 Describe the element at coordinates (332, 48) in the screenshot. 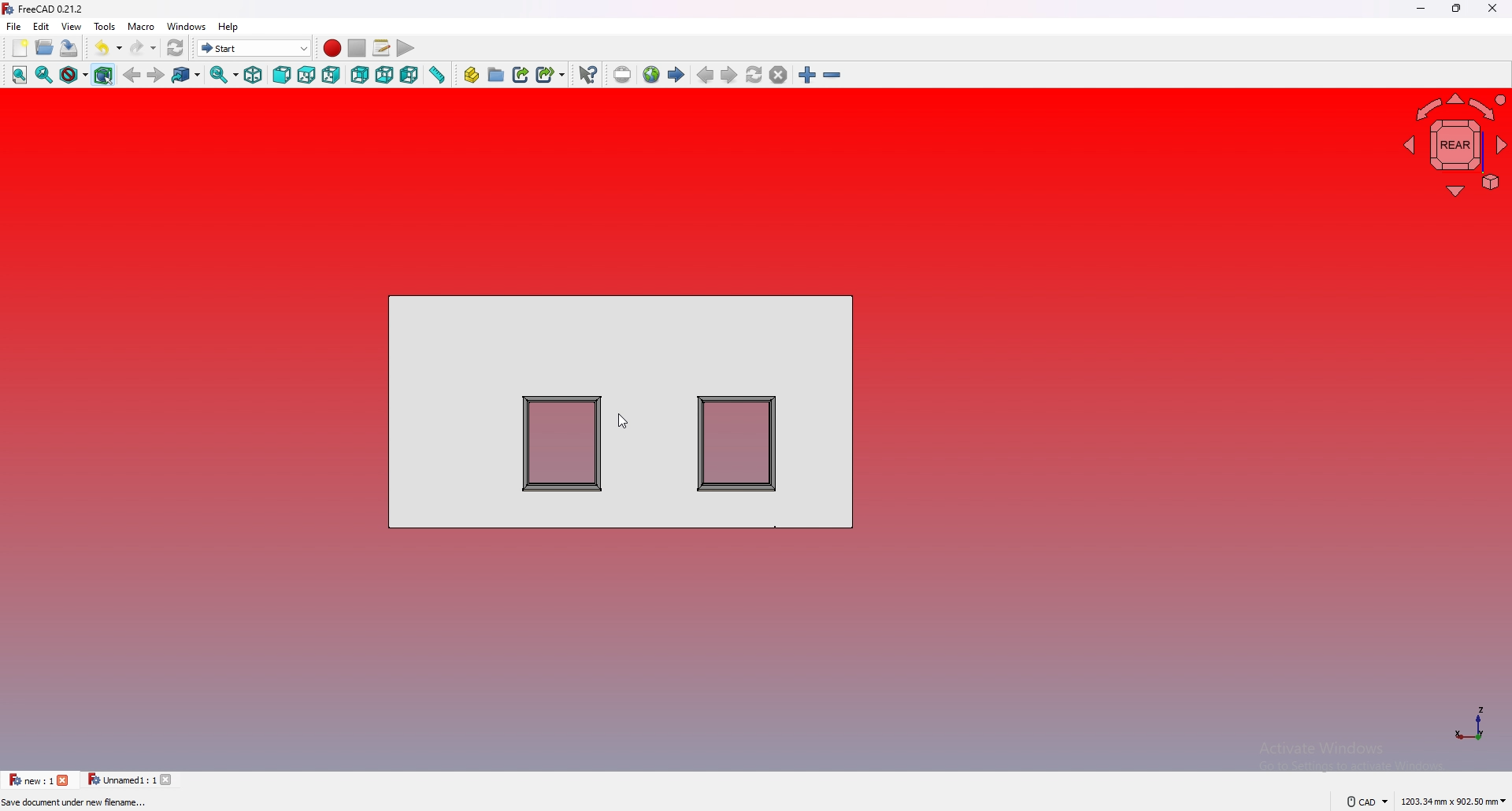

I see `record macros` at that location.